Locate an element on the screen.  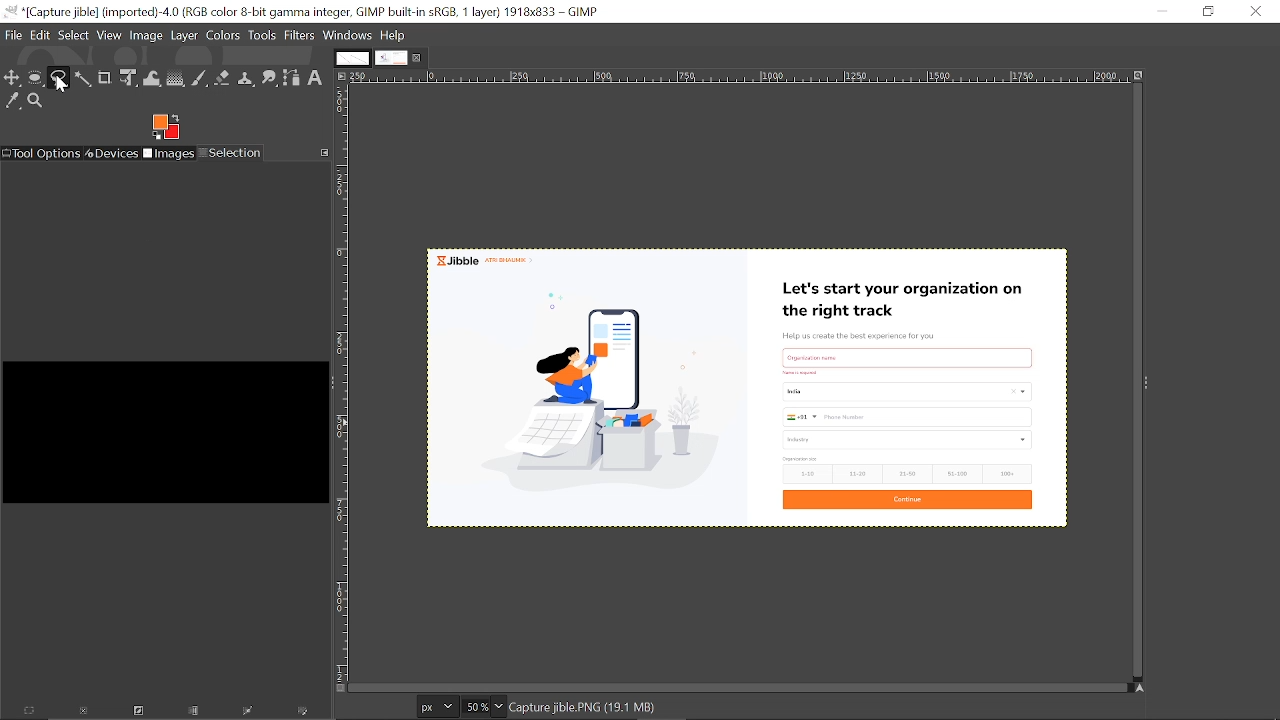
Text tool is located at coordinates (317, 78).